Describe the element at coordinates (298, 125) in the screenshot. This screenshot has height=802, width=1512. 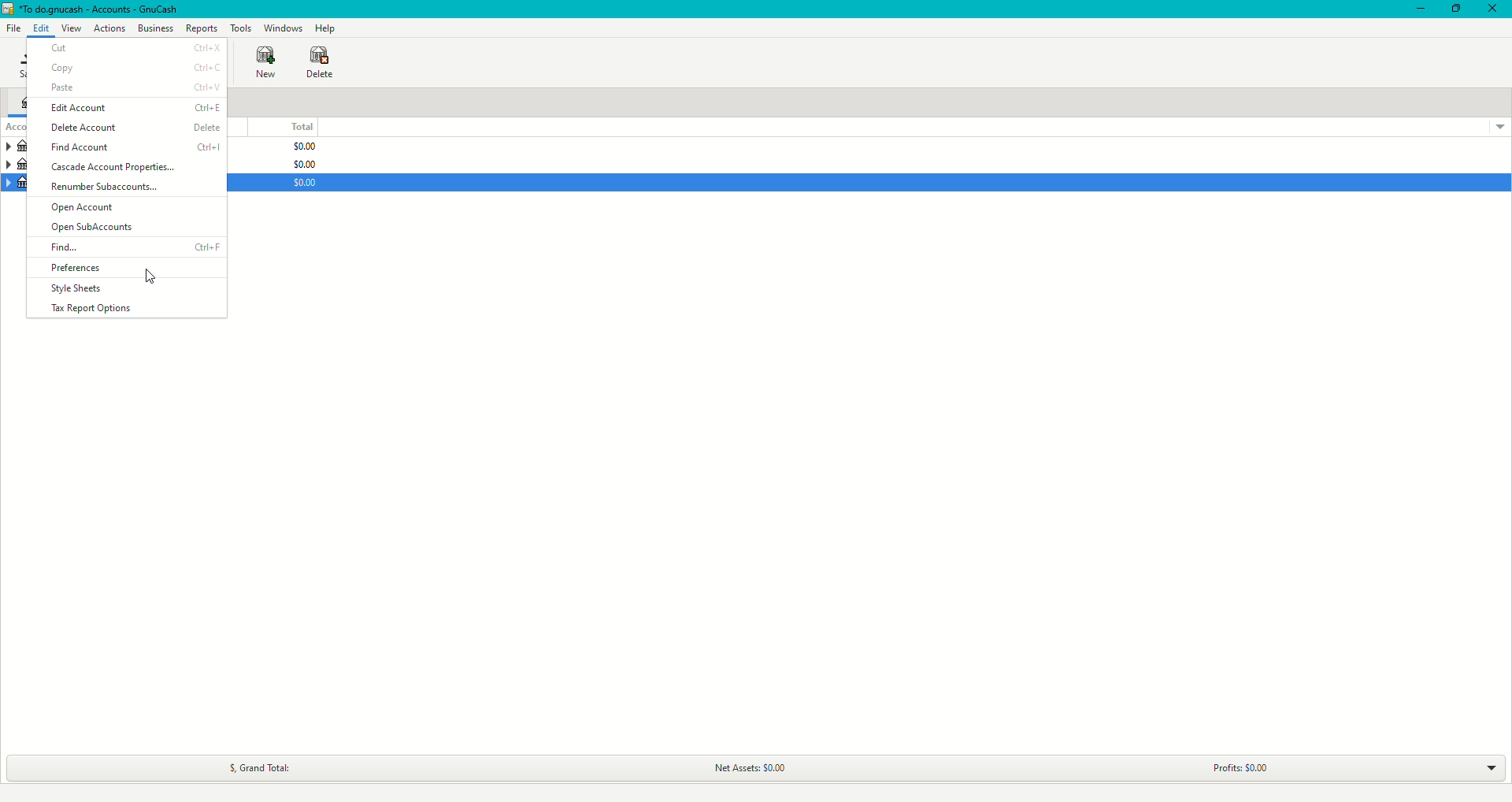
I see `Total` at that location.